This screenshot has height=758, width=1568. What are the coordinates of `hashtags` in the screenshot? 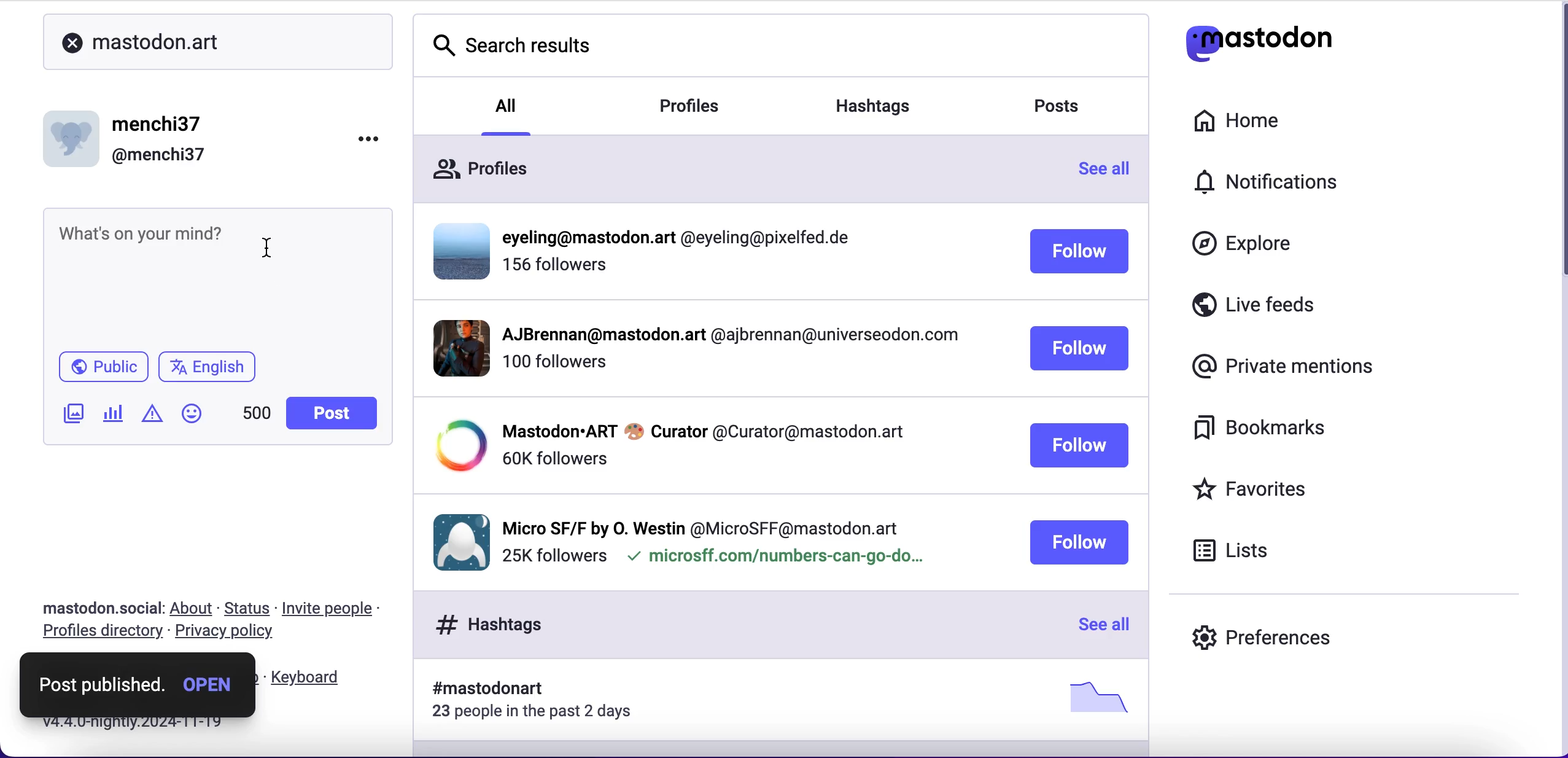 It's located at (483, 624).